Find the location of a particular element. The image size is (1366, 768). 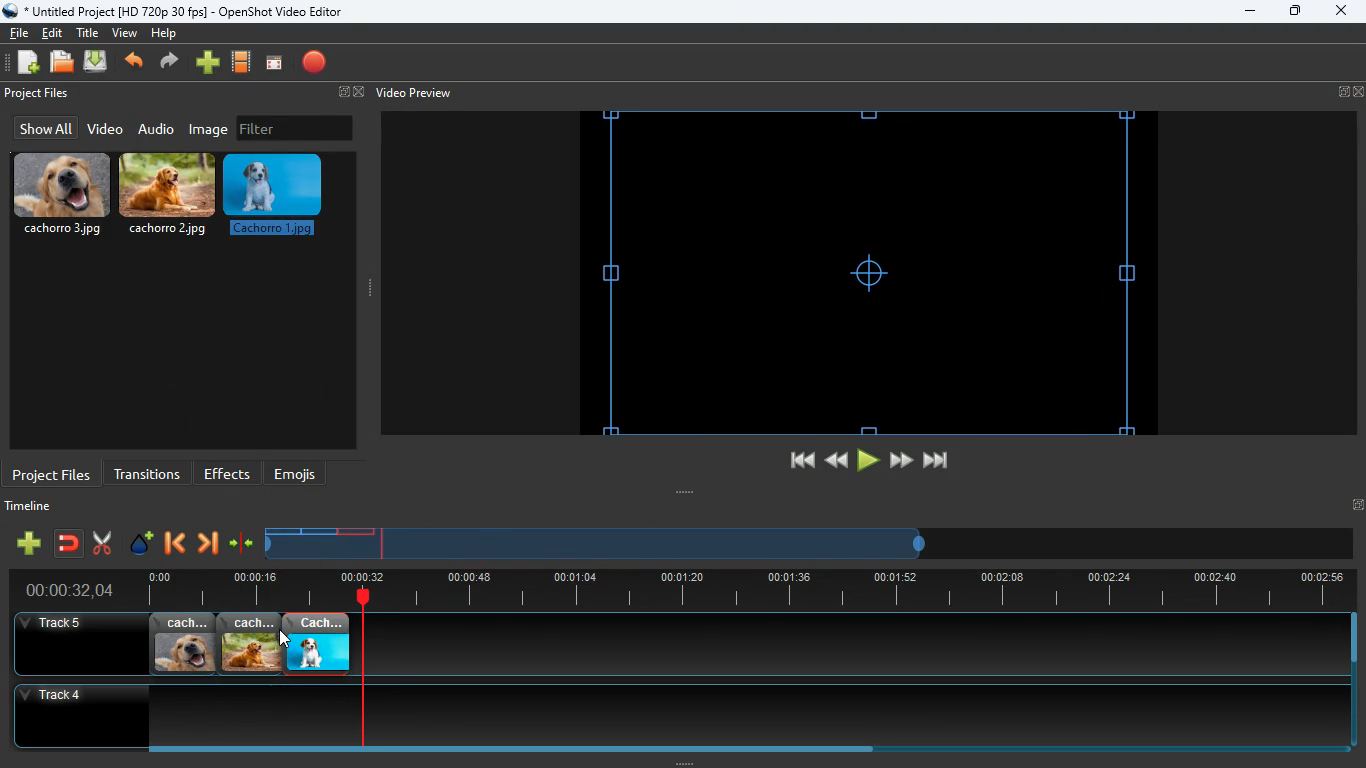

cut is located at coordinates (102, 543).